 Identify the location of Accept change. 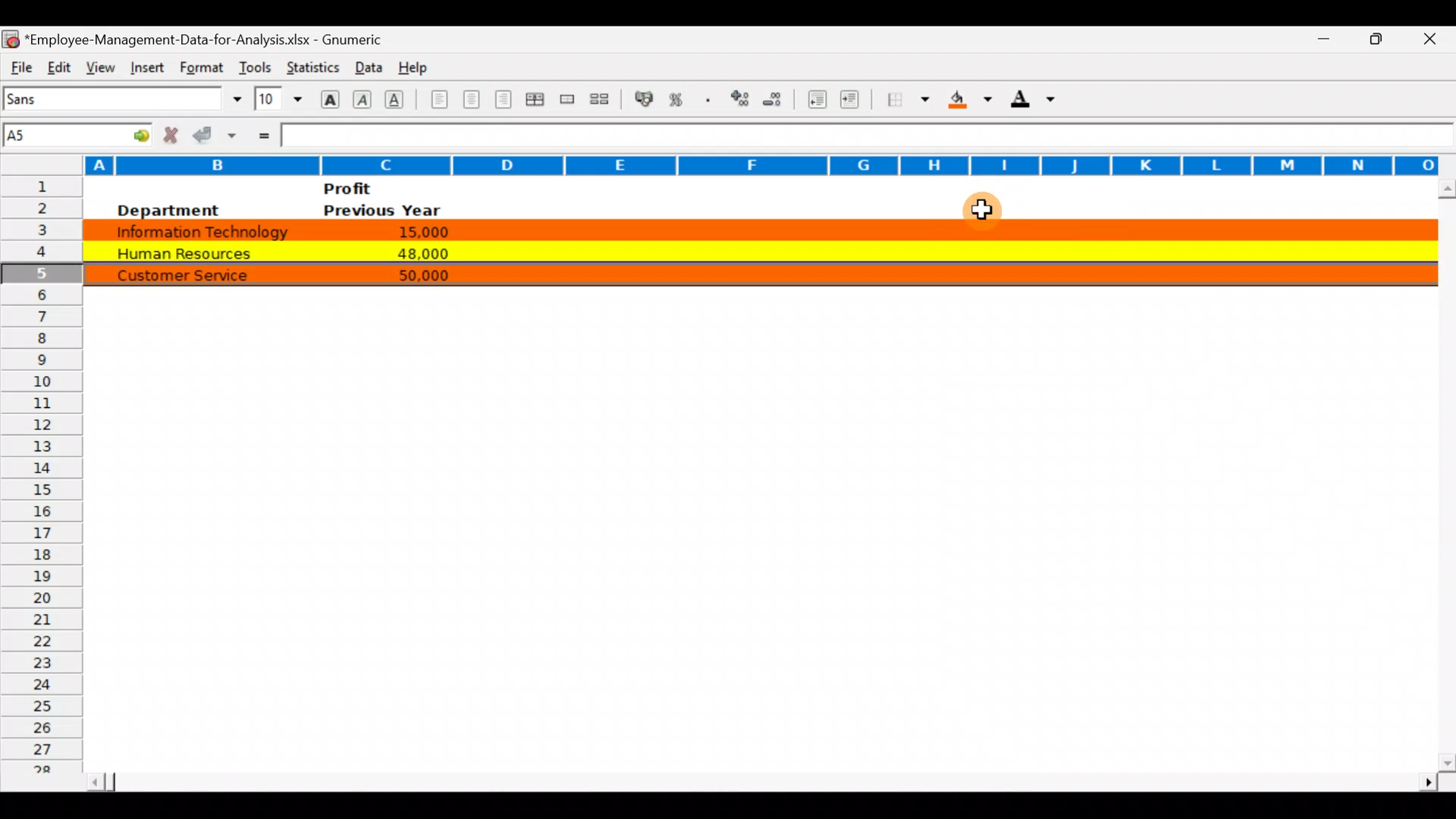
(217, 134).